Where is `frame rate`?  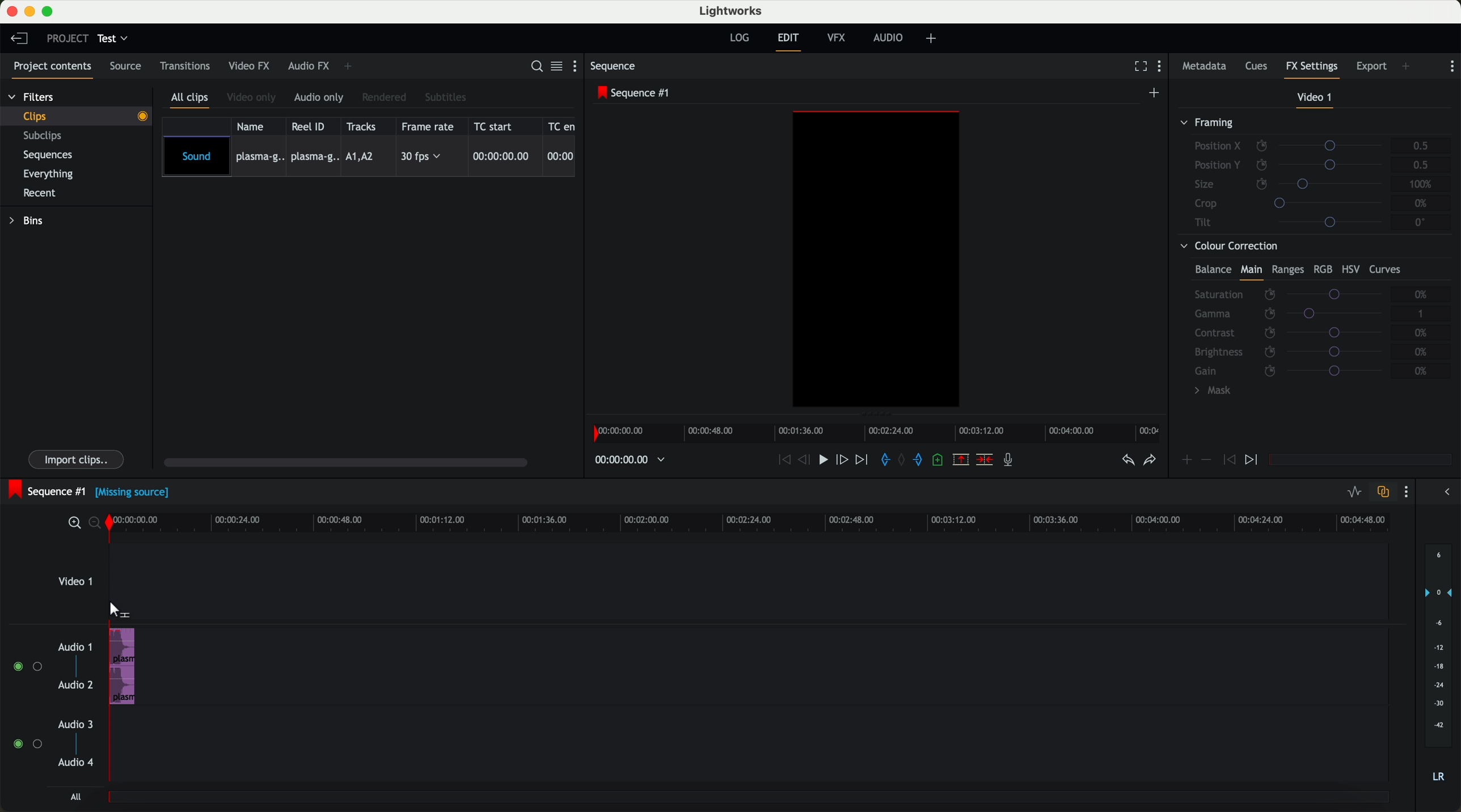 frame rate is located at coordinates (430, 126).